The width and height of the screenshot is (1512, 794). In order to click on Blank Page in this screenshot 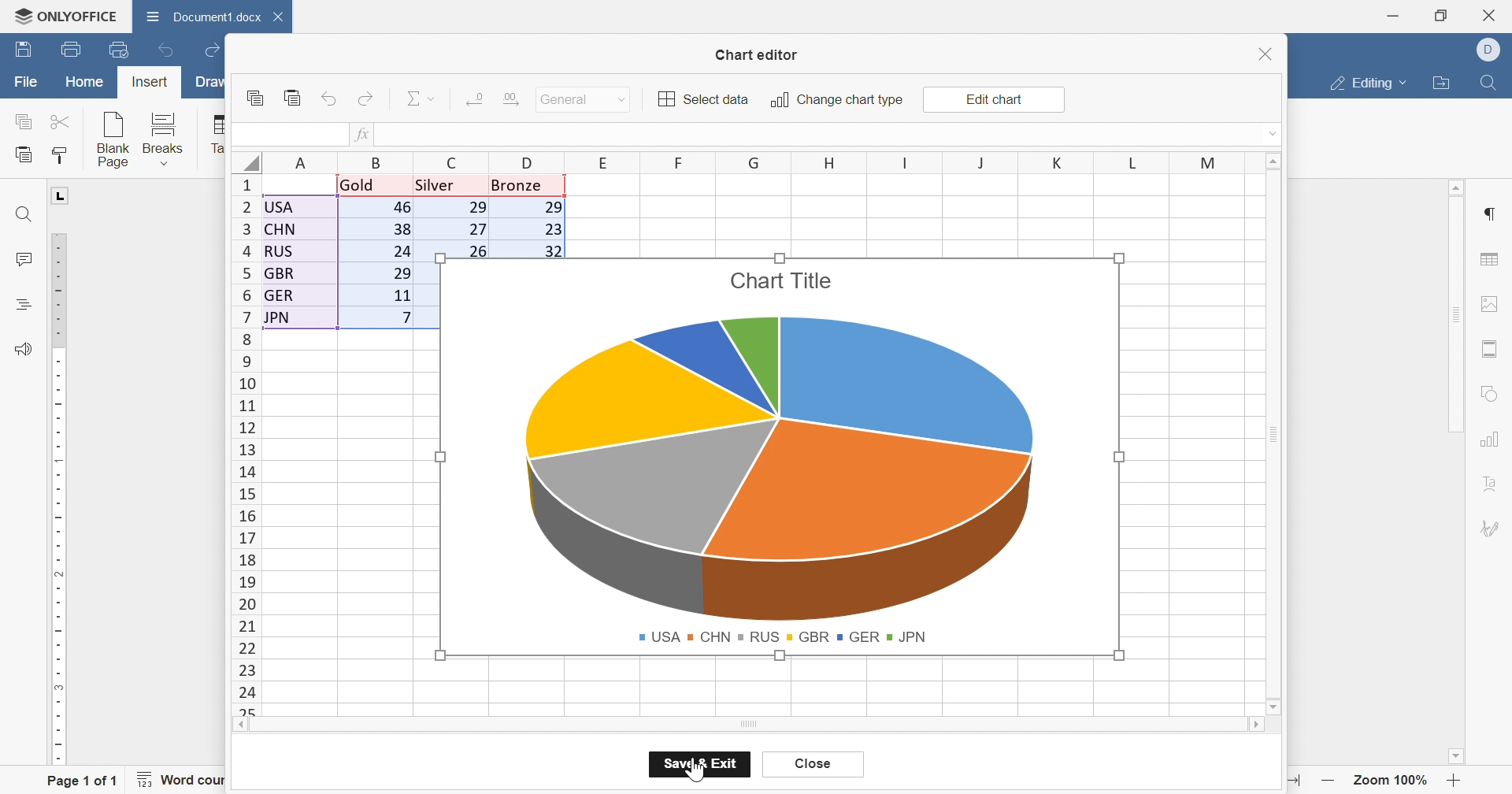, I will do `click(113, 136)`.